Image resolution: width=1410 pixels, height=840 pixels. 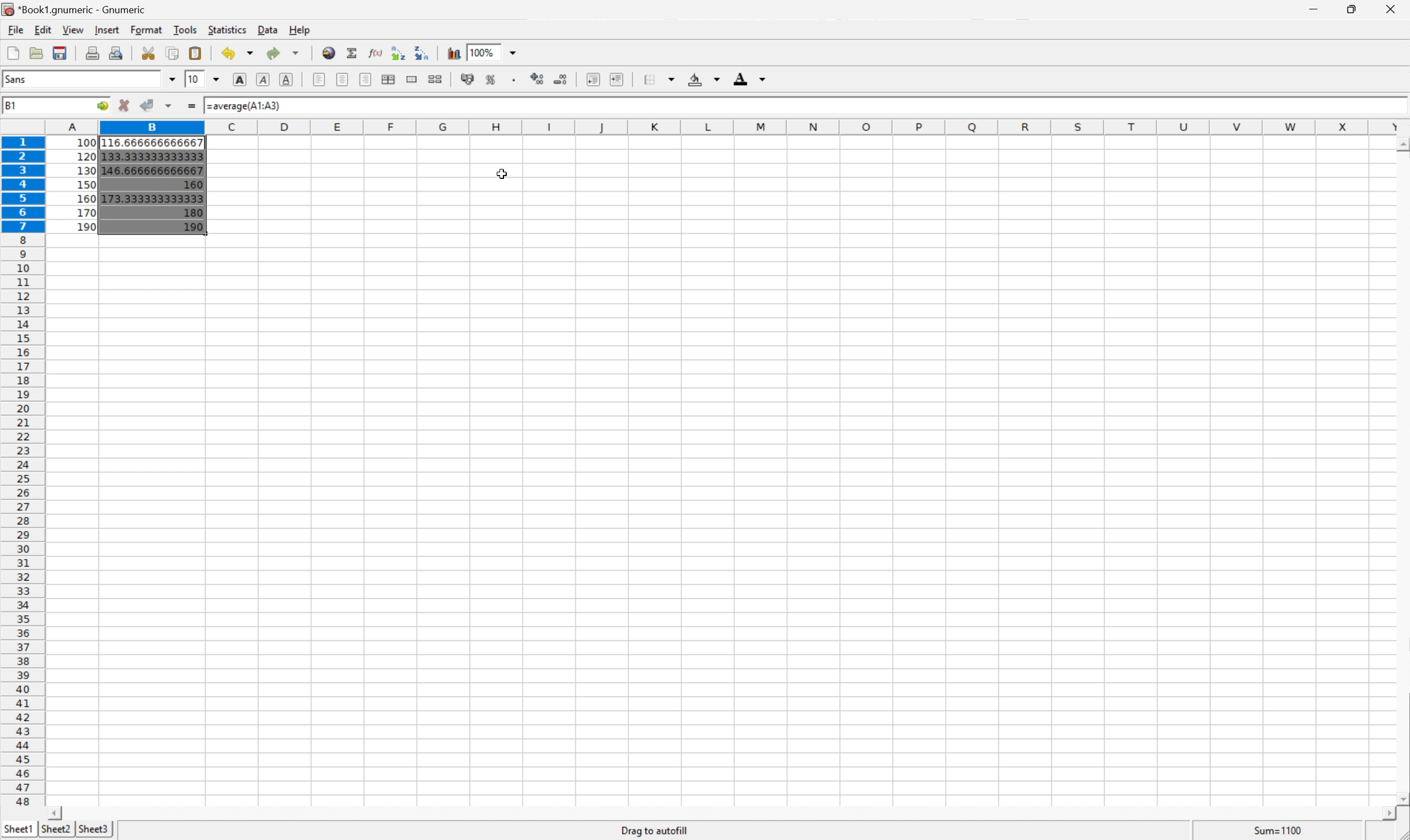 I want to click on Enter formula, so click(x=193, y=104).